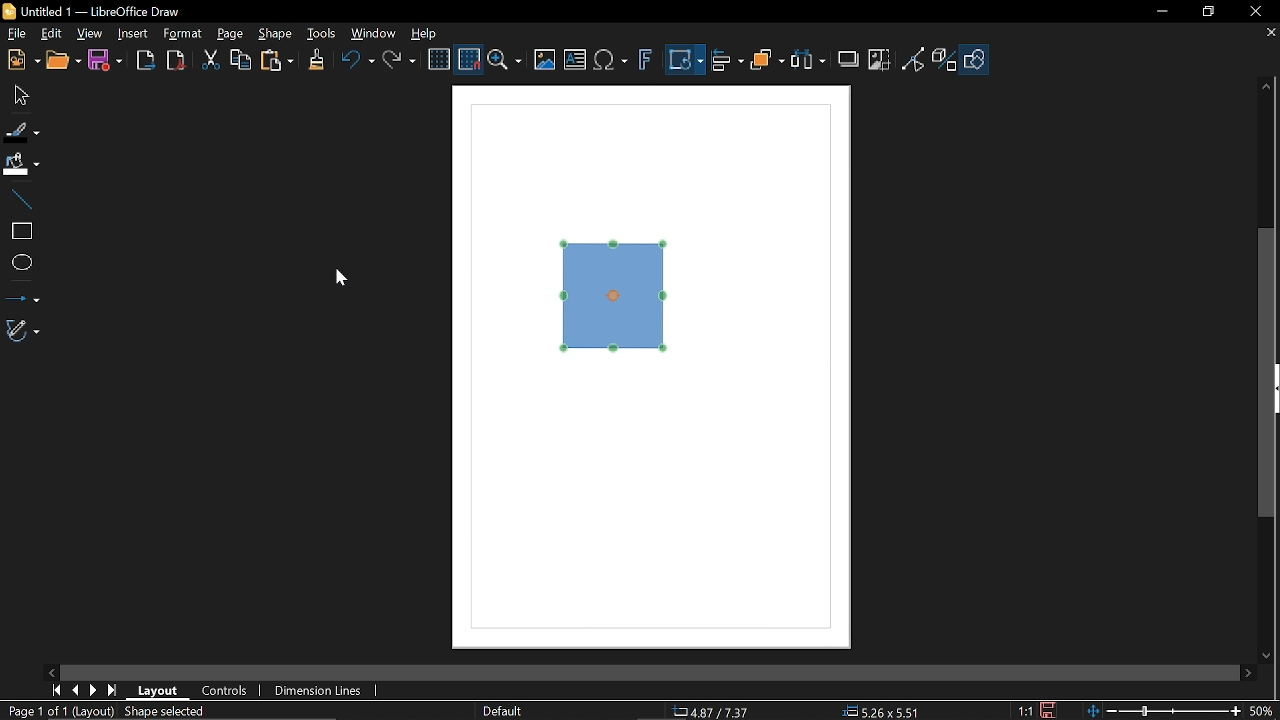 The image size is (1280, 720). I want to click on Transformation, so click(685, 61).